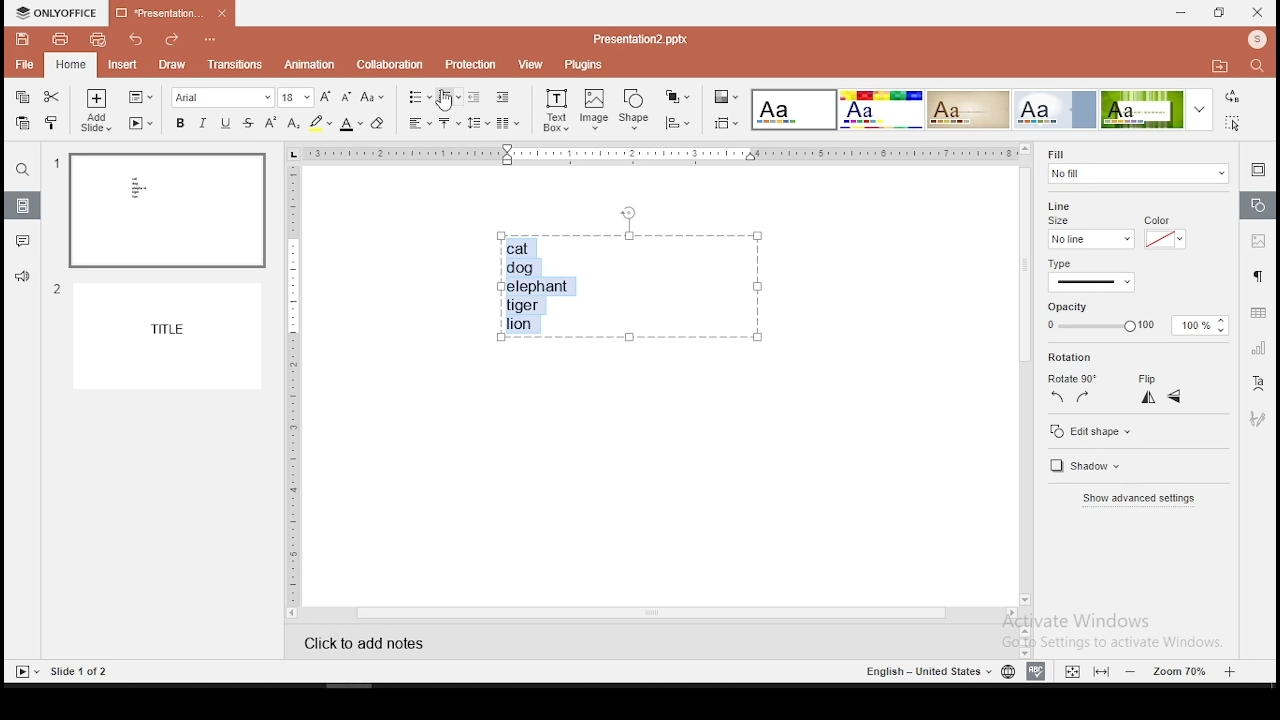  What do you see at coordinates (76, 673) in the screenshot?
I see `slide 1 of 2` at bounding box center [76, 673].